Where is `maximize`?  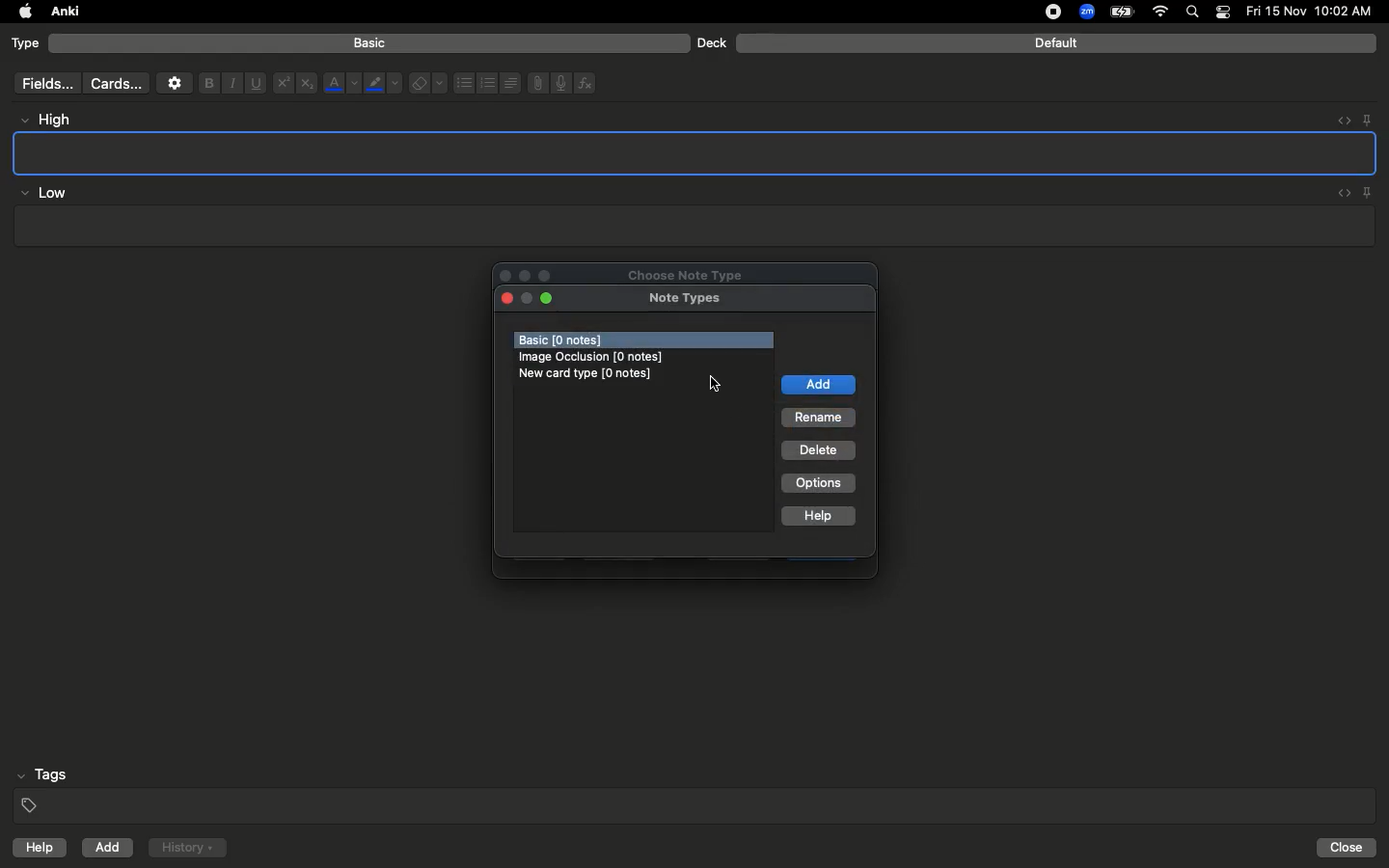
maximize is located at coordinates (550, 299).